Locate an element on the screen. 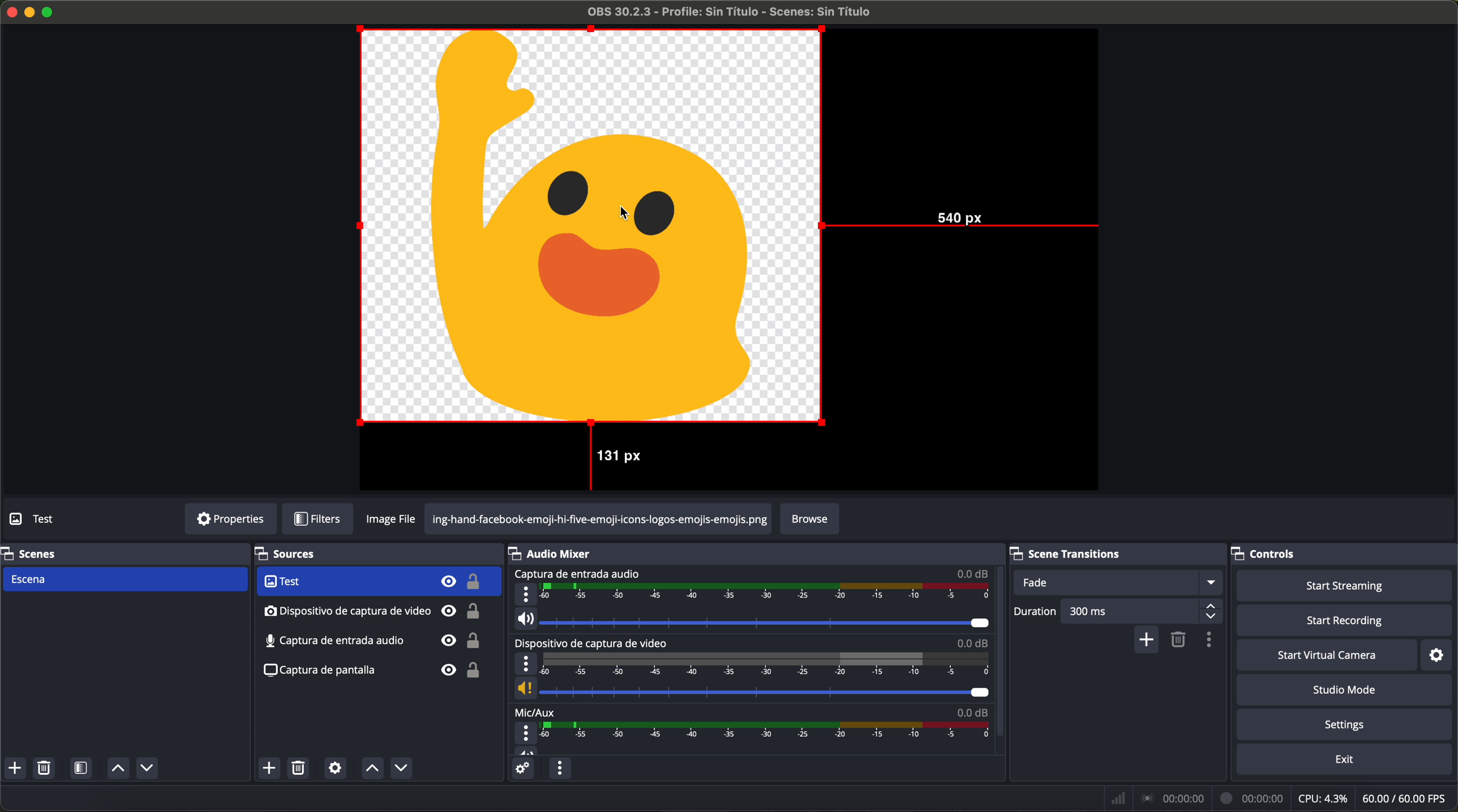  scene transitions is located at coordinates (1079, 552).